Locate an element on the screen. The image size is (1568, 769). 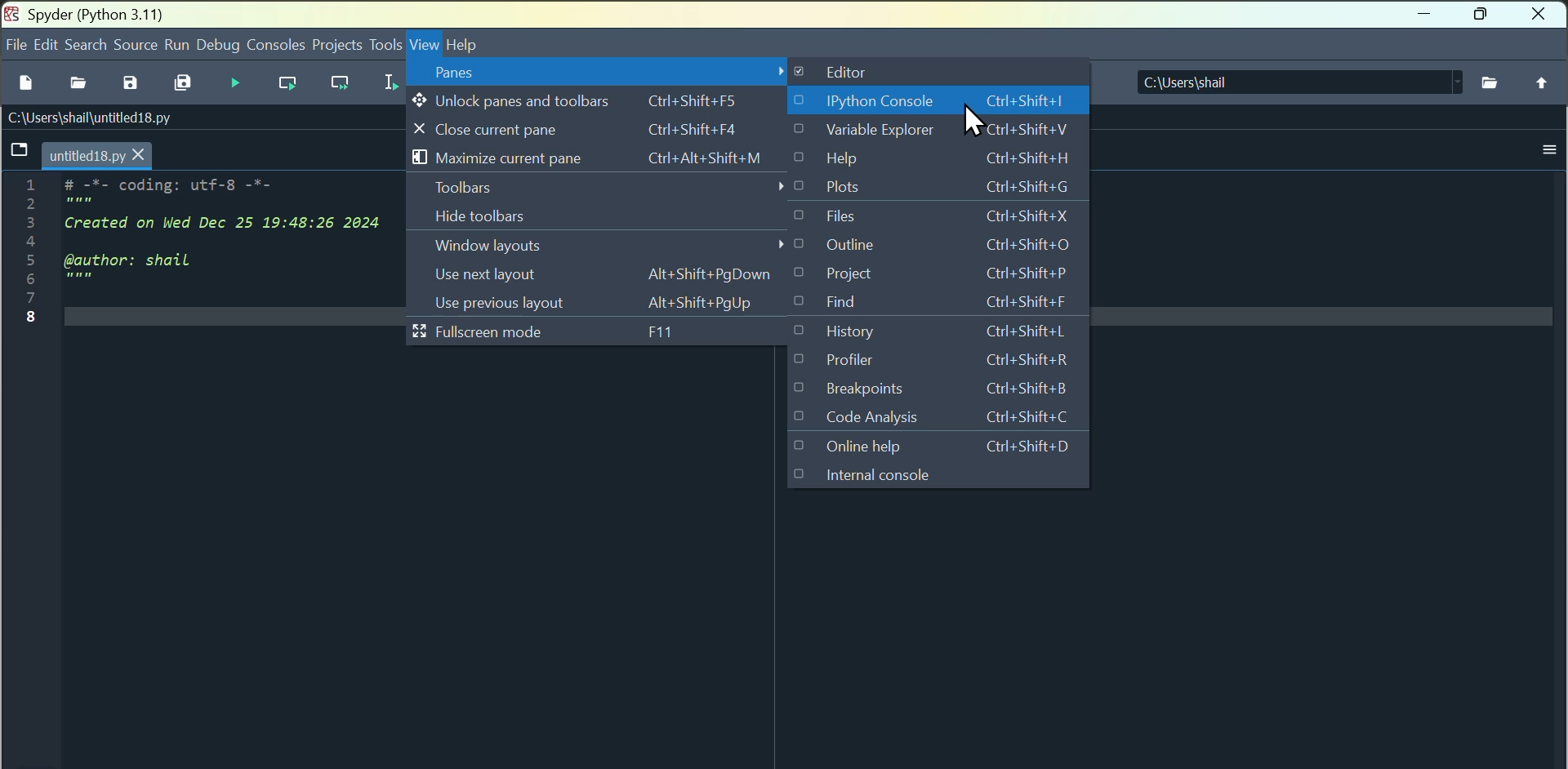
view is located at coordinates (423, 47).